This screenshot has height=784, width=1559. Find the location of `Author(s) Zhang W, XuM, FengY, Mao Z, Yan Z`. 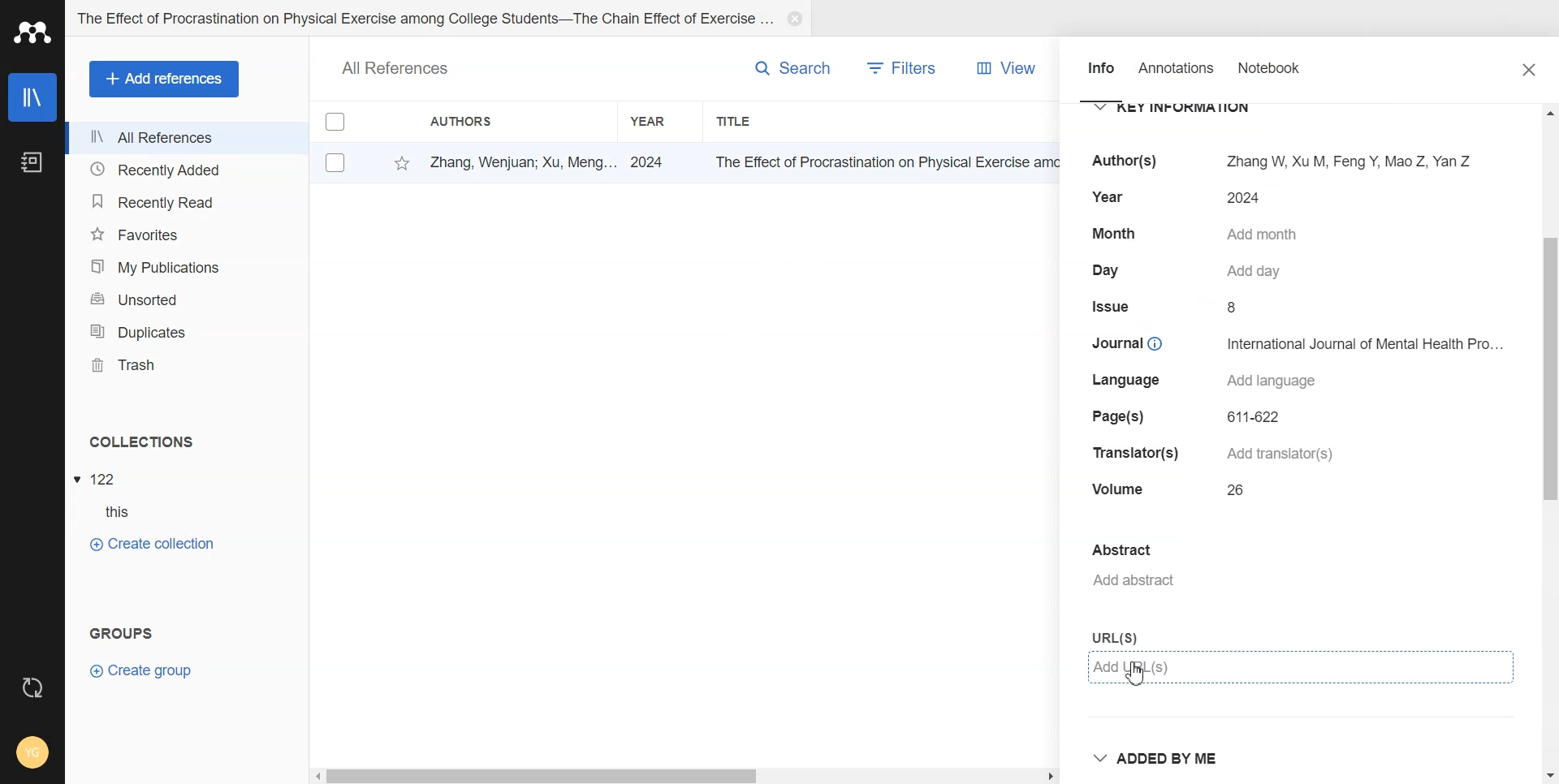

Author(s) Zhang W, XuM, FengY, Mao Z, Yan Z is located at coordinates (1275, 160).